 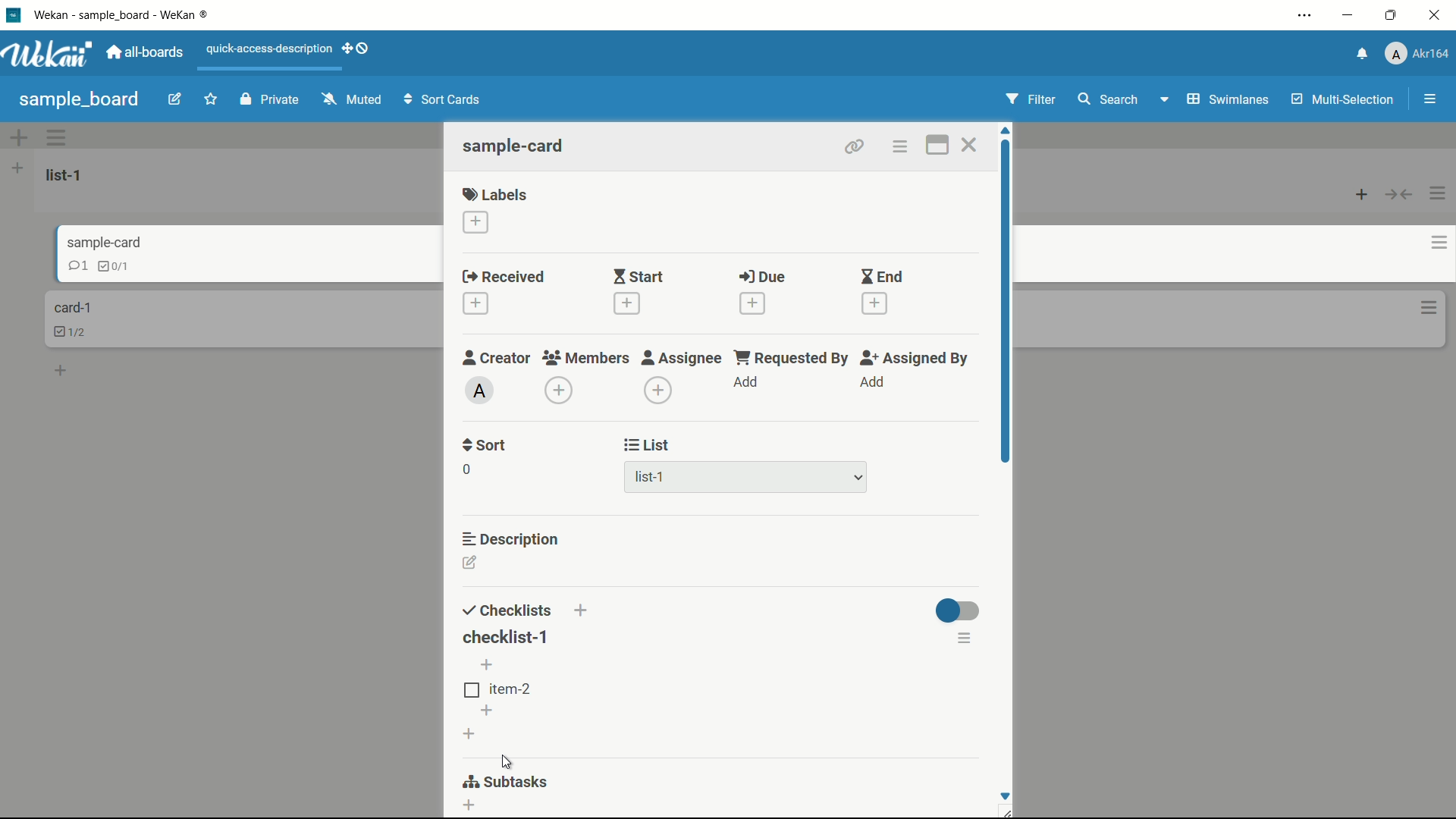 What do you see at coordinates (1343, 99) in the screenshot?
I see `multi-selection` at bounding box center [1343, 99].